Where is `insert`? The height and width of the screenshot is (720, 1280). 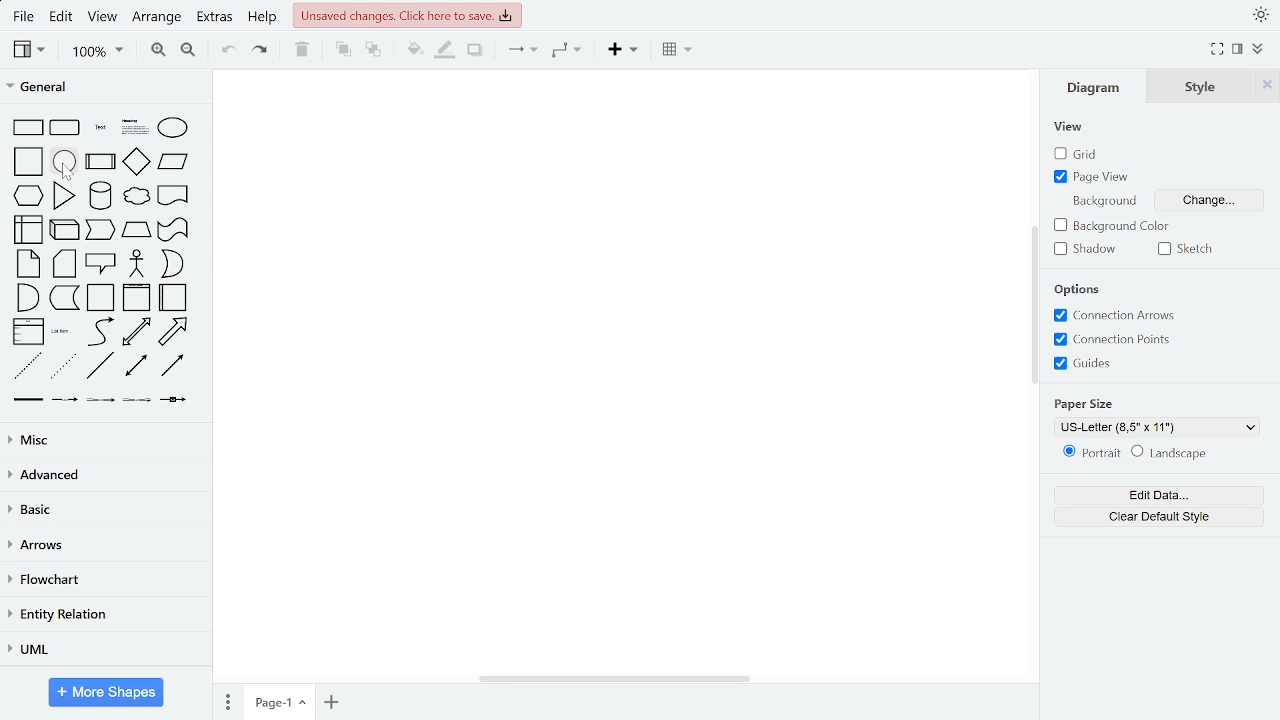
insert is located at coordinates (619, 51).